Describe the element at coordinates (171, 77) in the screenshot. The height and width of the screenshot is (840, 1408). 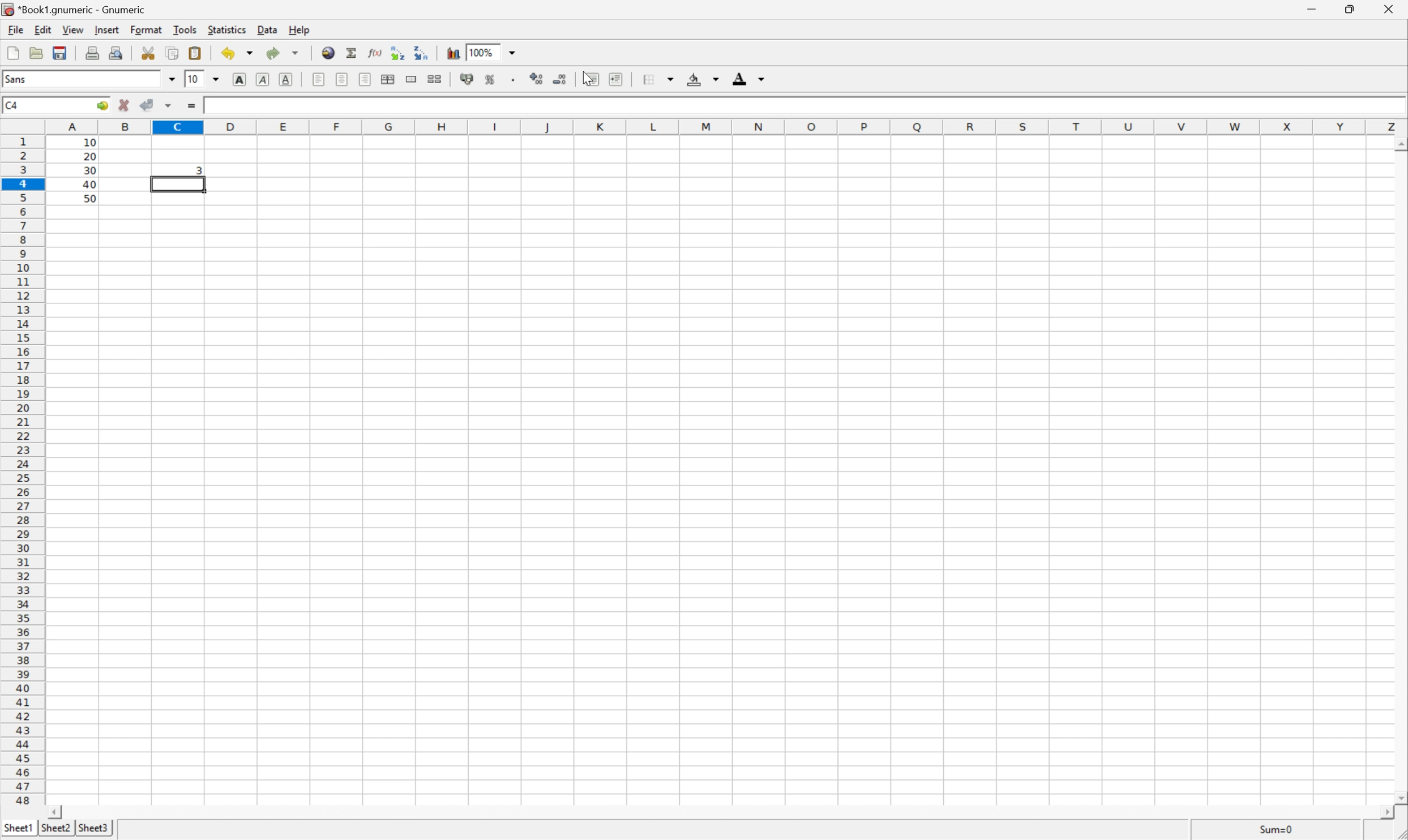
I see ` Drop down` at that location.